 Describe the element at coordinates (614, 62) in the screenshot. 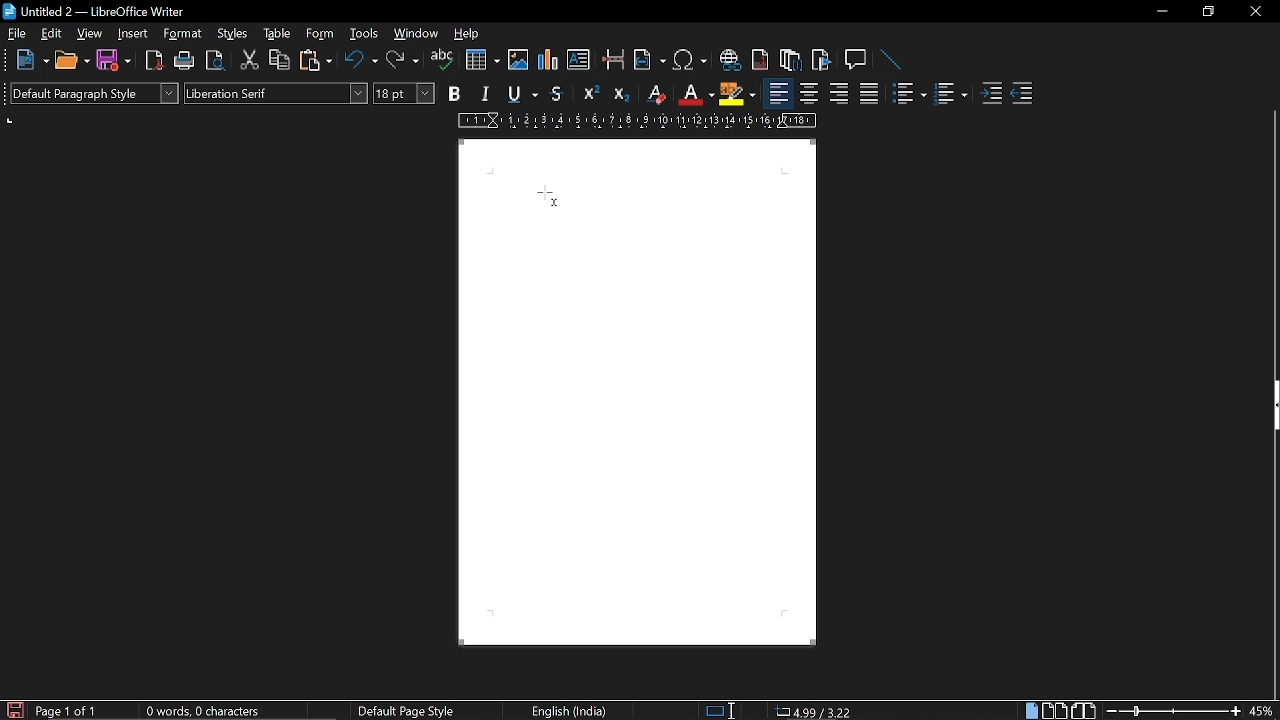

I see `insert pagebreak` at that location.